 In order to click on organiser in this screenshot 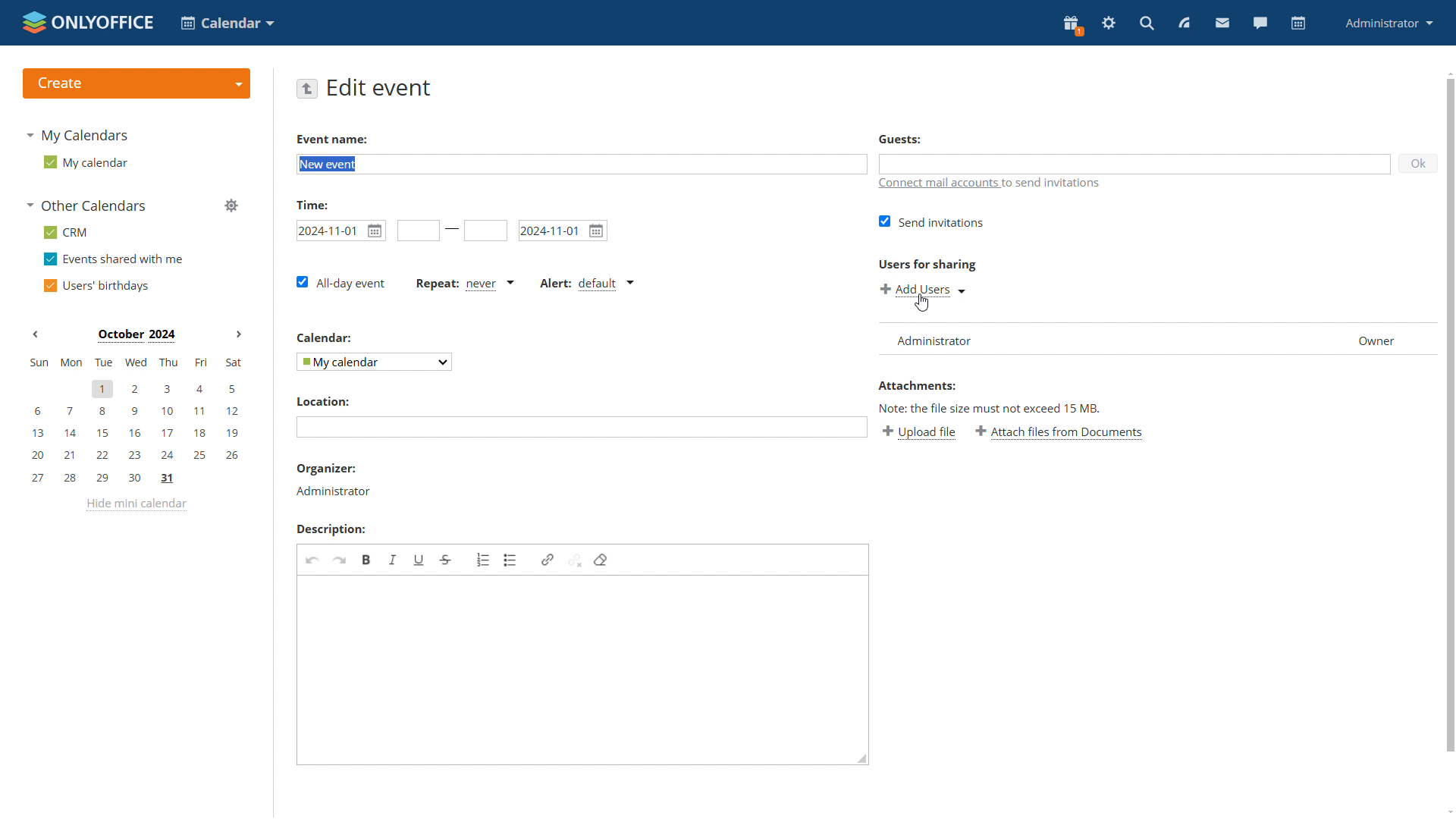, I will do `click(325, 469)`.